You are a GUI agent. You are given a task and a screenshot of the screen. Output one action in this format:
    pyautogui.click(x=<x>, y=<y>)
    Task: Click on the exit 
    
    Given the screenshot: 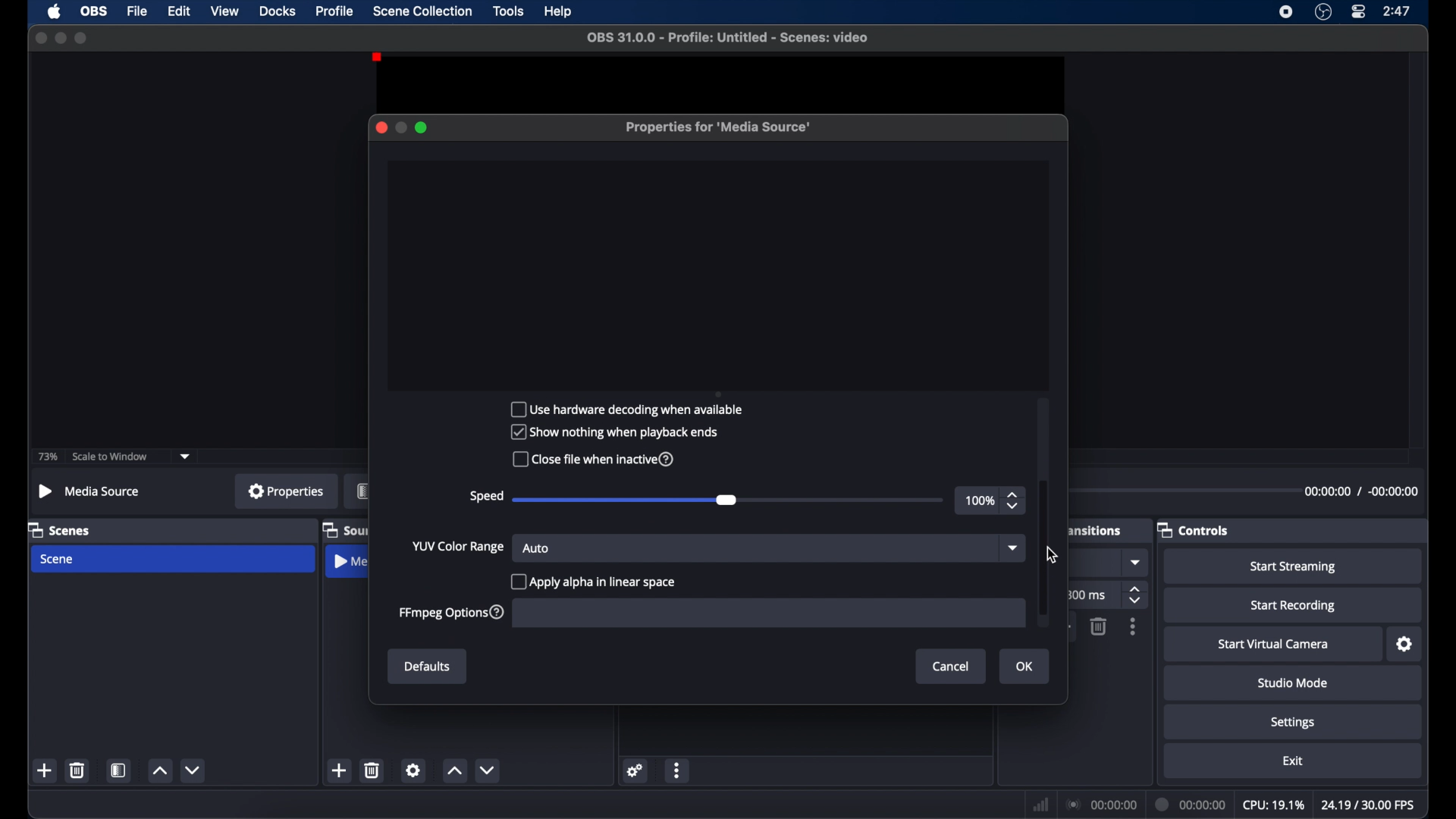 What is the action you would take?
    pyautogui.click(x=1293, y=761)
    